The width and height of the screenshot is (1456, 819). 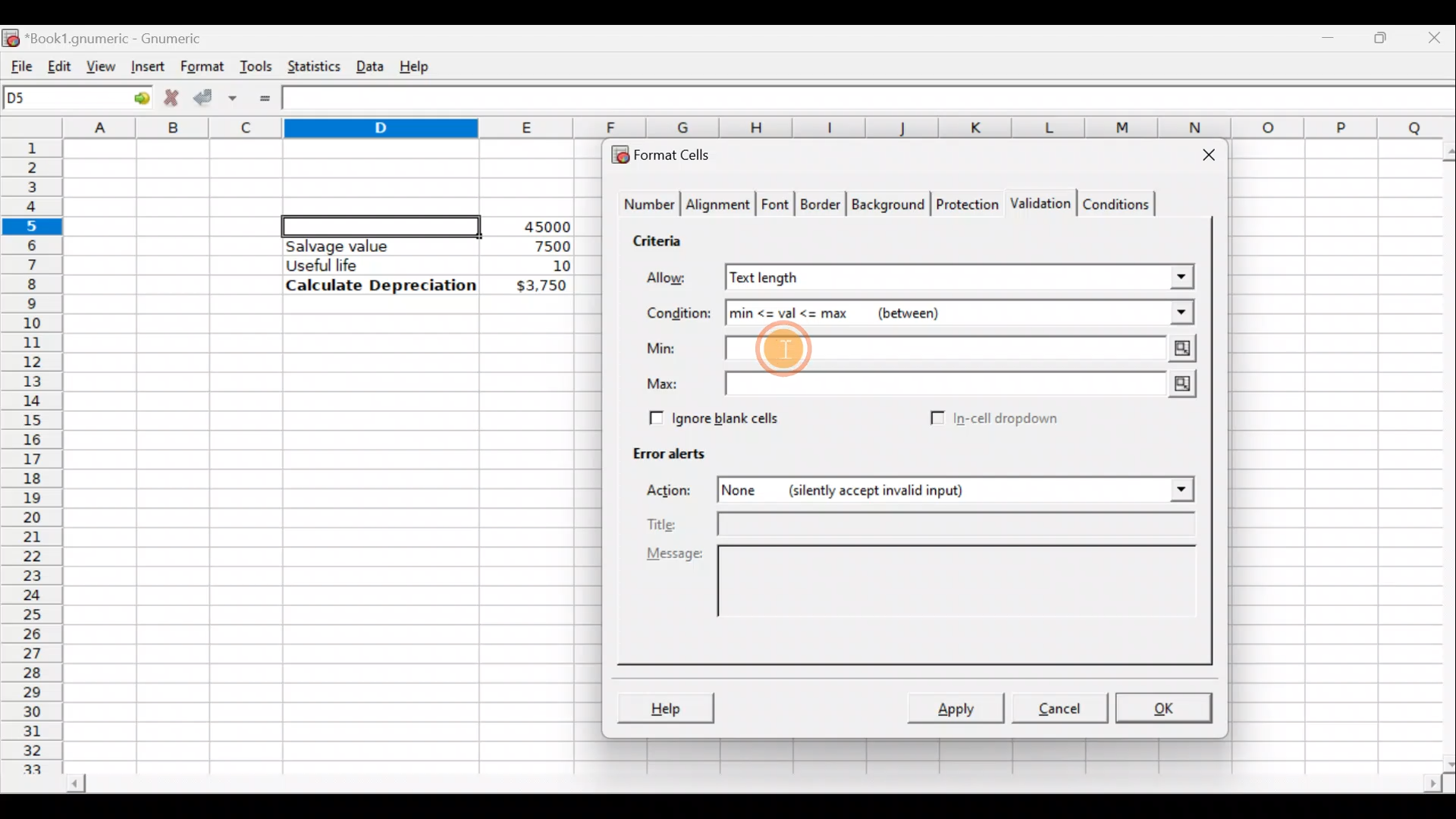 What do you see at coordinates (369, 63) in the screenshot?
I see `Data` at bounding box center [369, 63].